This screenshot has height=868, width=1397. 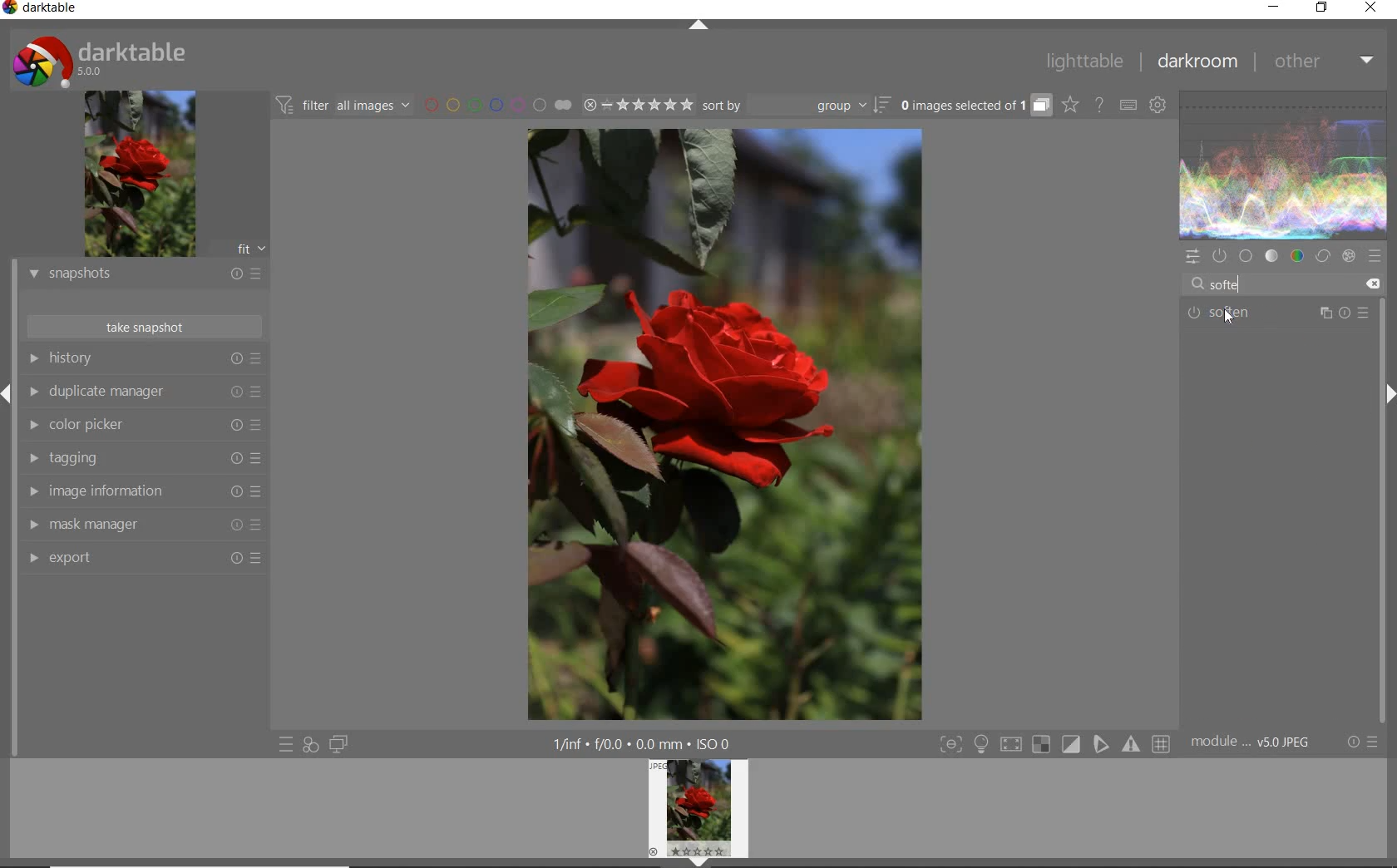 What do you see at coordinates (342, 105) in the screenshot?
I see `filter all images by module order` at bounding box center [342, 105].